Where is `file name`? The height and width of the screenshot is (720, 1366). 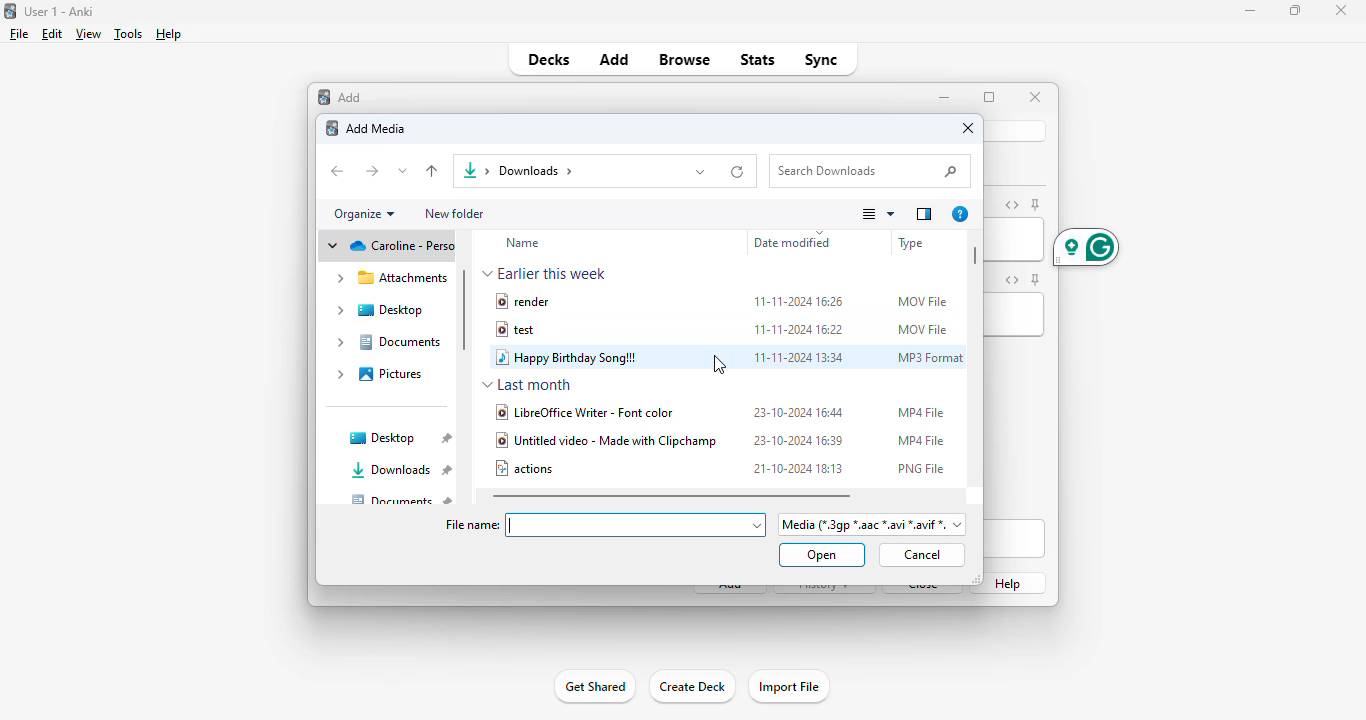
file name is located at coordinates (468, 526).